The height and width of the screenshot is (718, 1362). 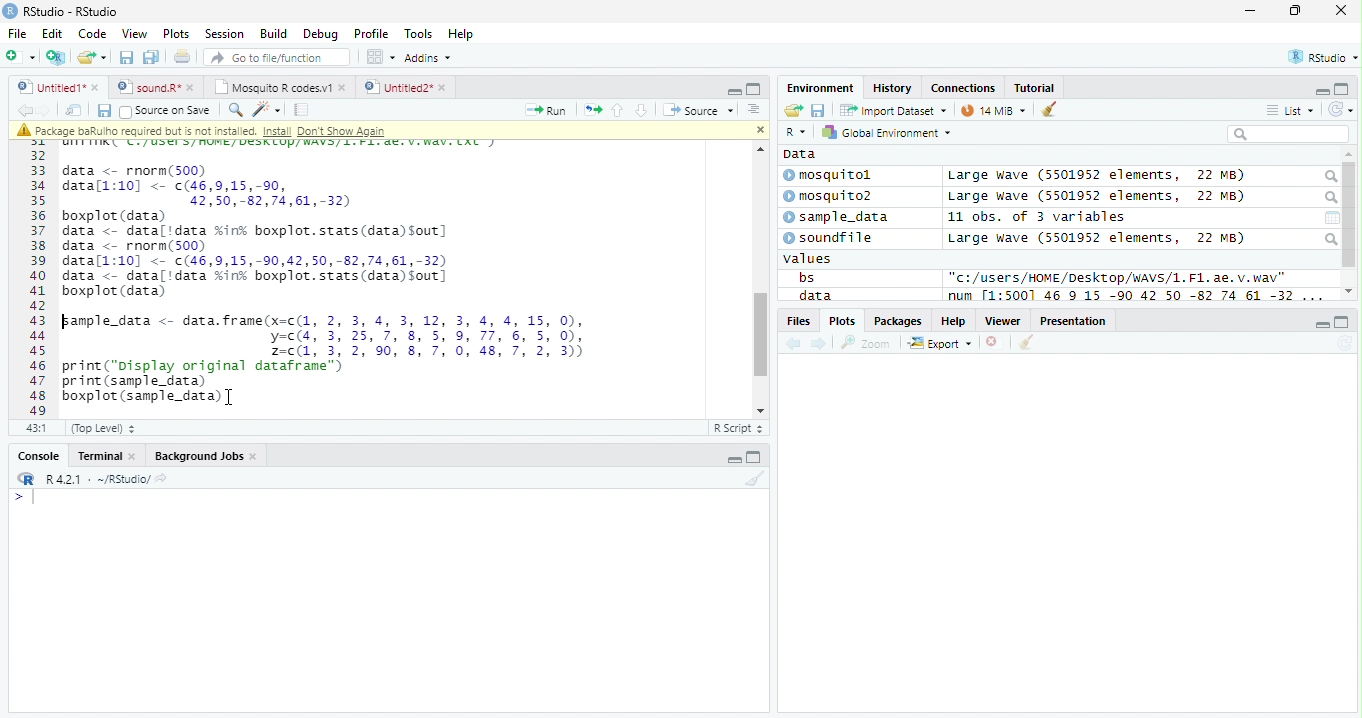 I want to click on Find, so click(x=235, y=110).